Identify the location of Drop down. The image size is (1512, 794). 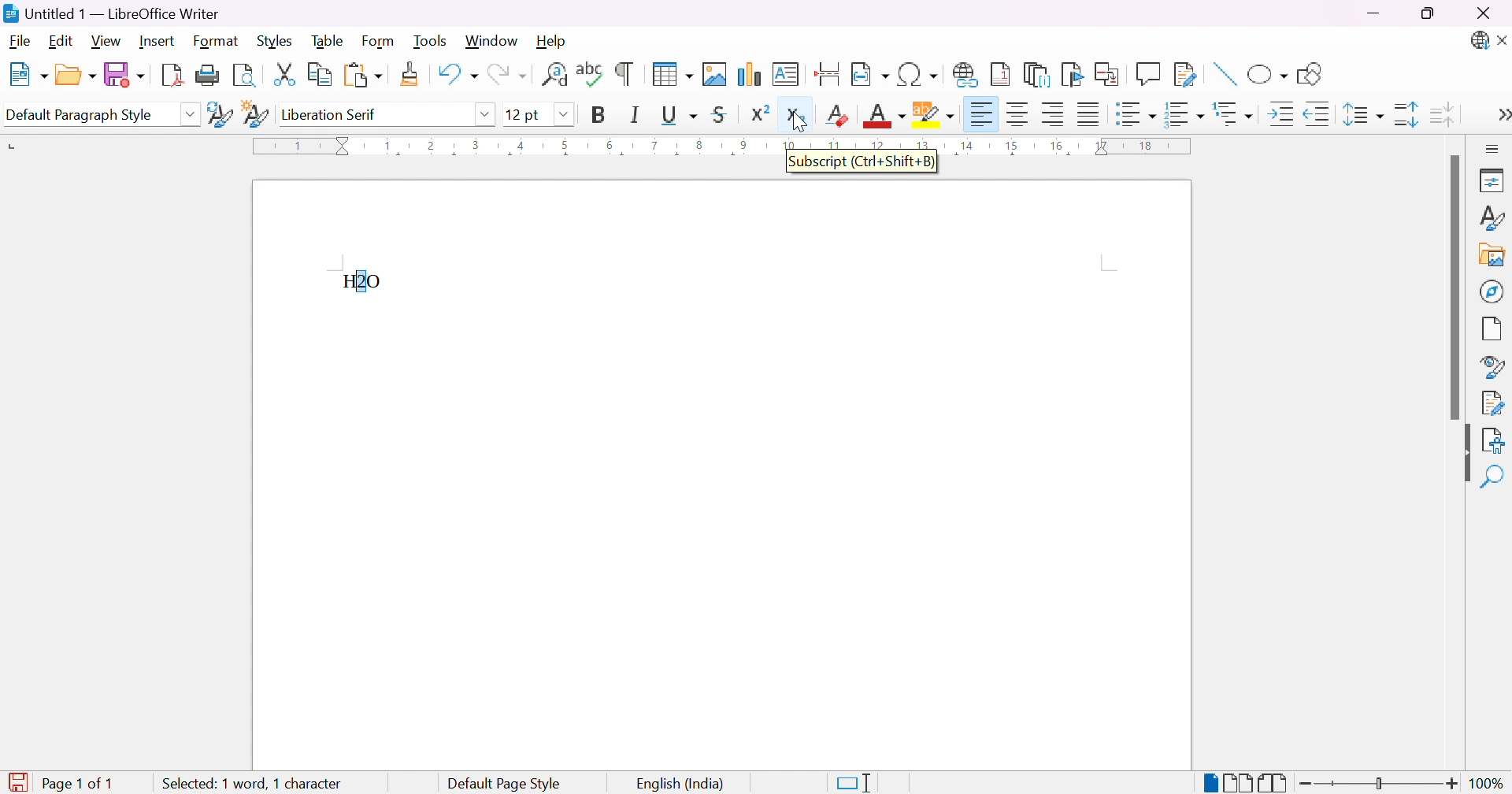
(565, 115).